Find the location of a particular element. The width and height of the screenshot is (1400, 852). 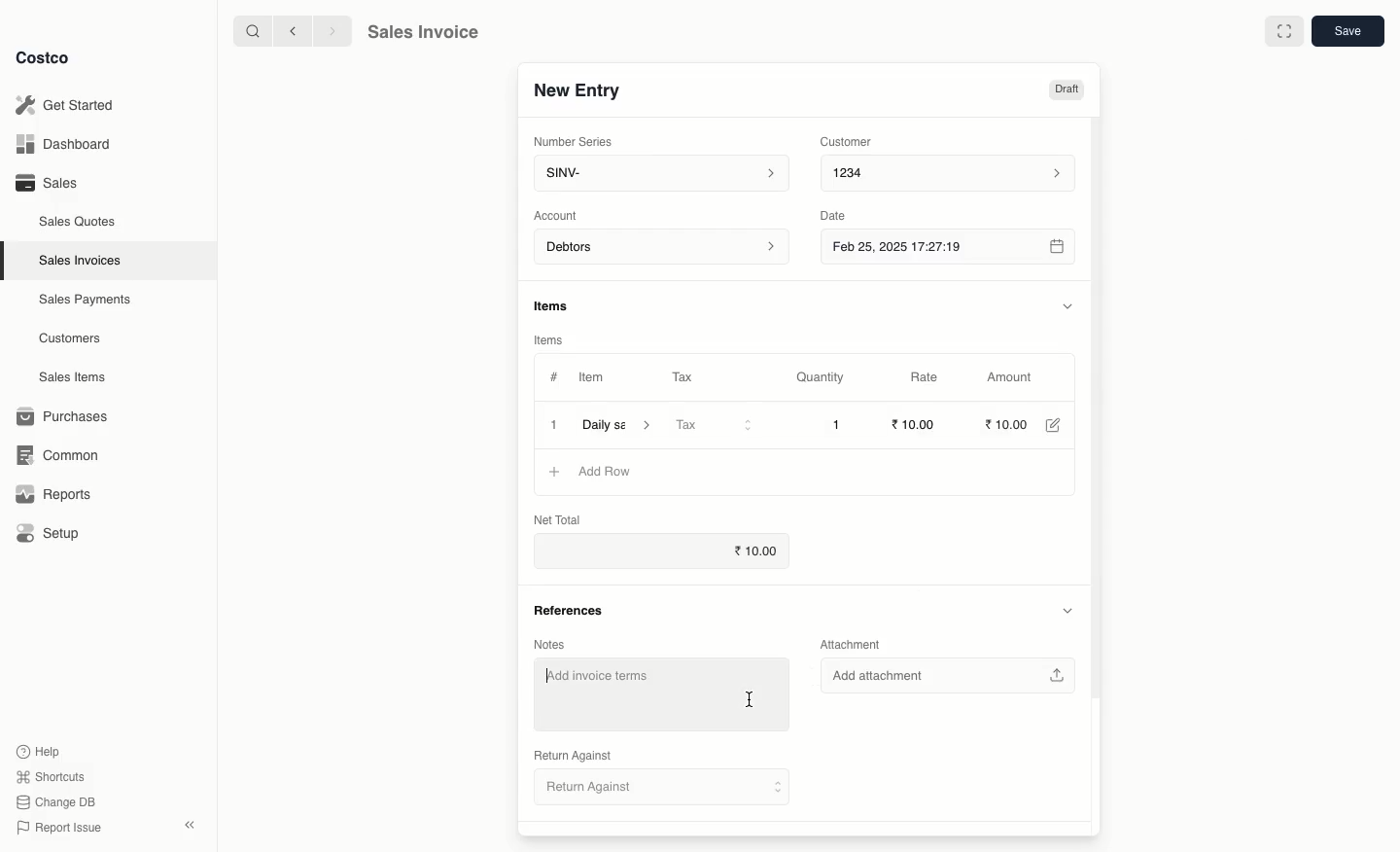

Hide is located at coordinates (1067, 610).